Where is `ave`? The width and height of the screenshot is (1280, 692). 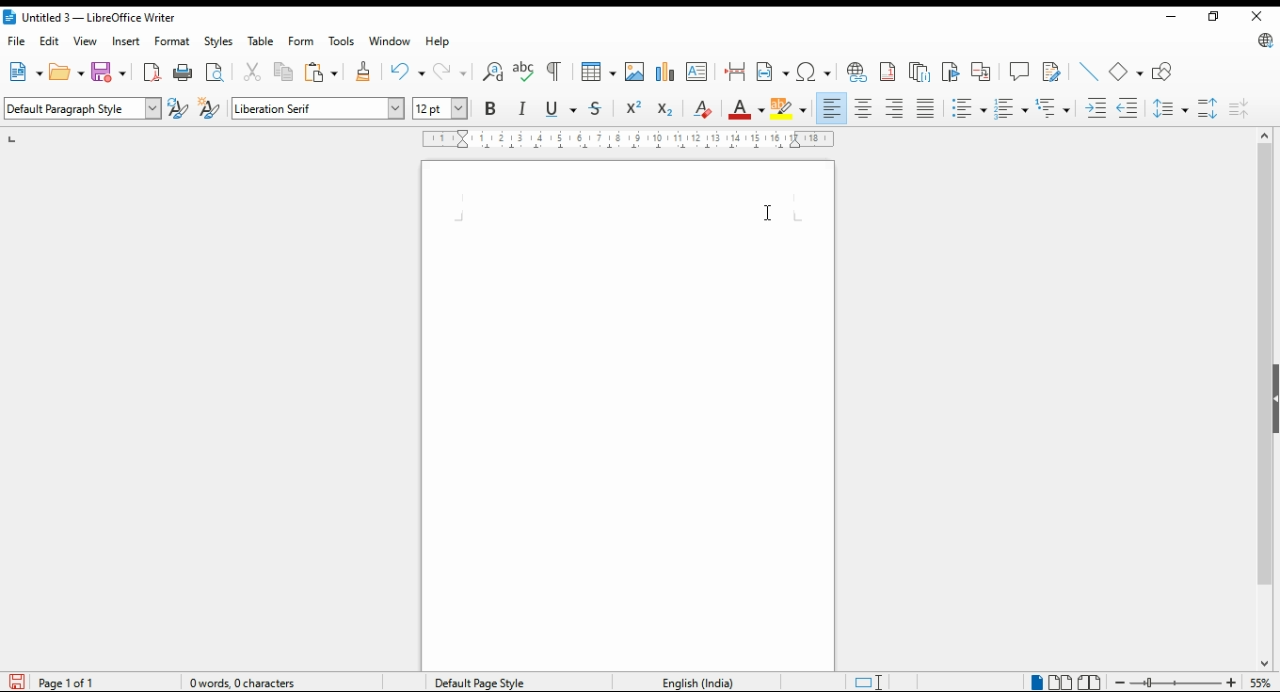 ave is located at coordinates (111, 71).